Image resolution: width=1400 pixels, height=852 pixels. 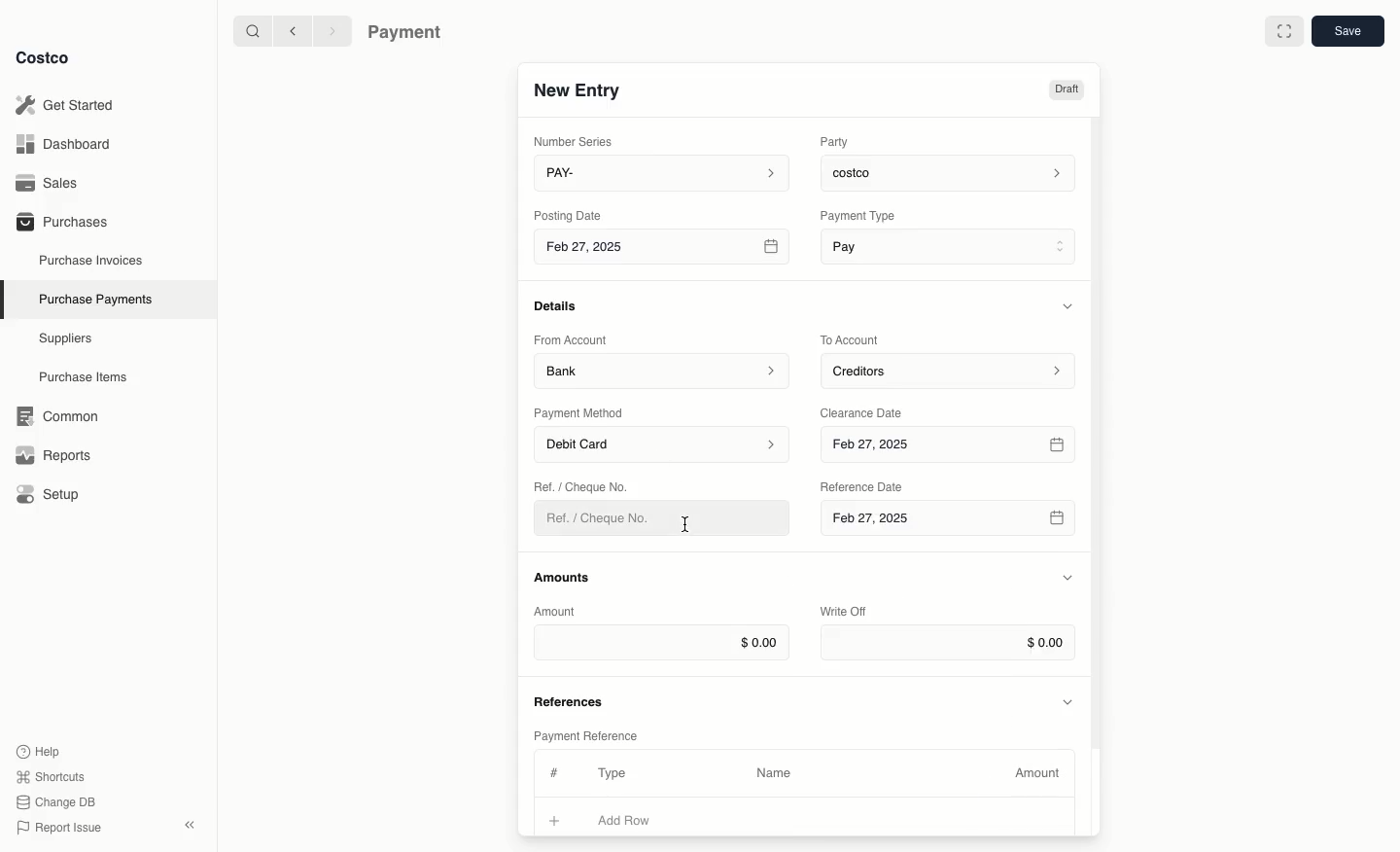 What do you see at coordinates (951, 445) in the screenshot?
I see `Feb 27, 2025` at bounding box center [951, 445].